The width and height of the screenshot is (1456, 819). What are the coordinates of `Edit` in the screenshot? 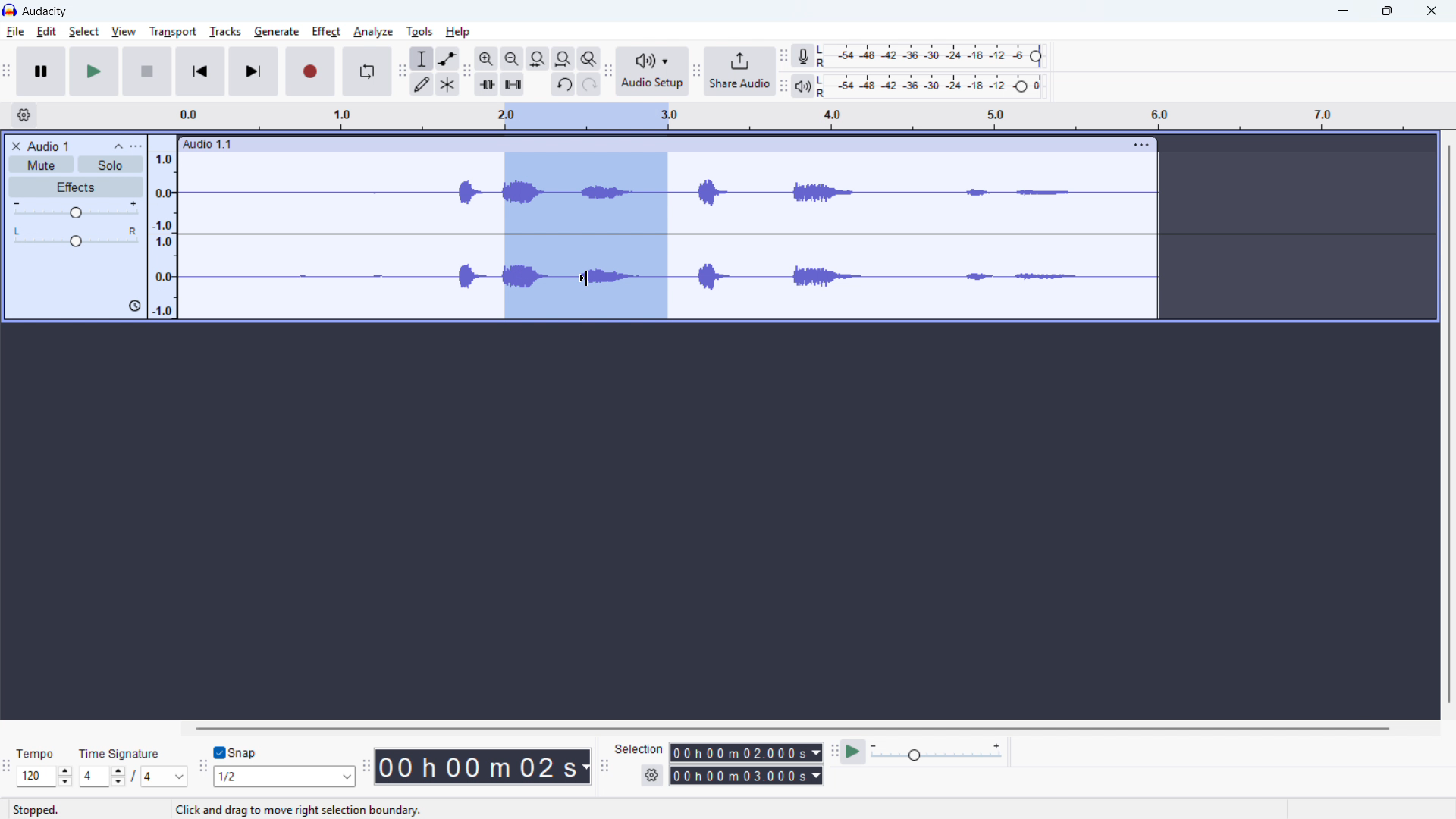 It's located at (45, 32).